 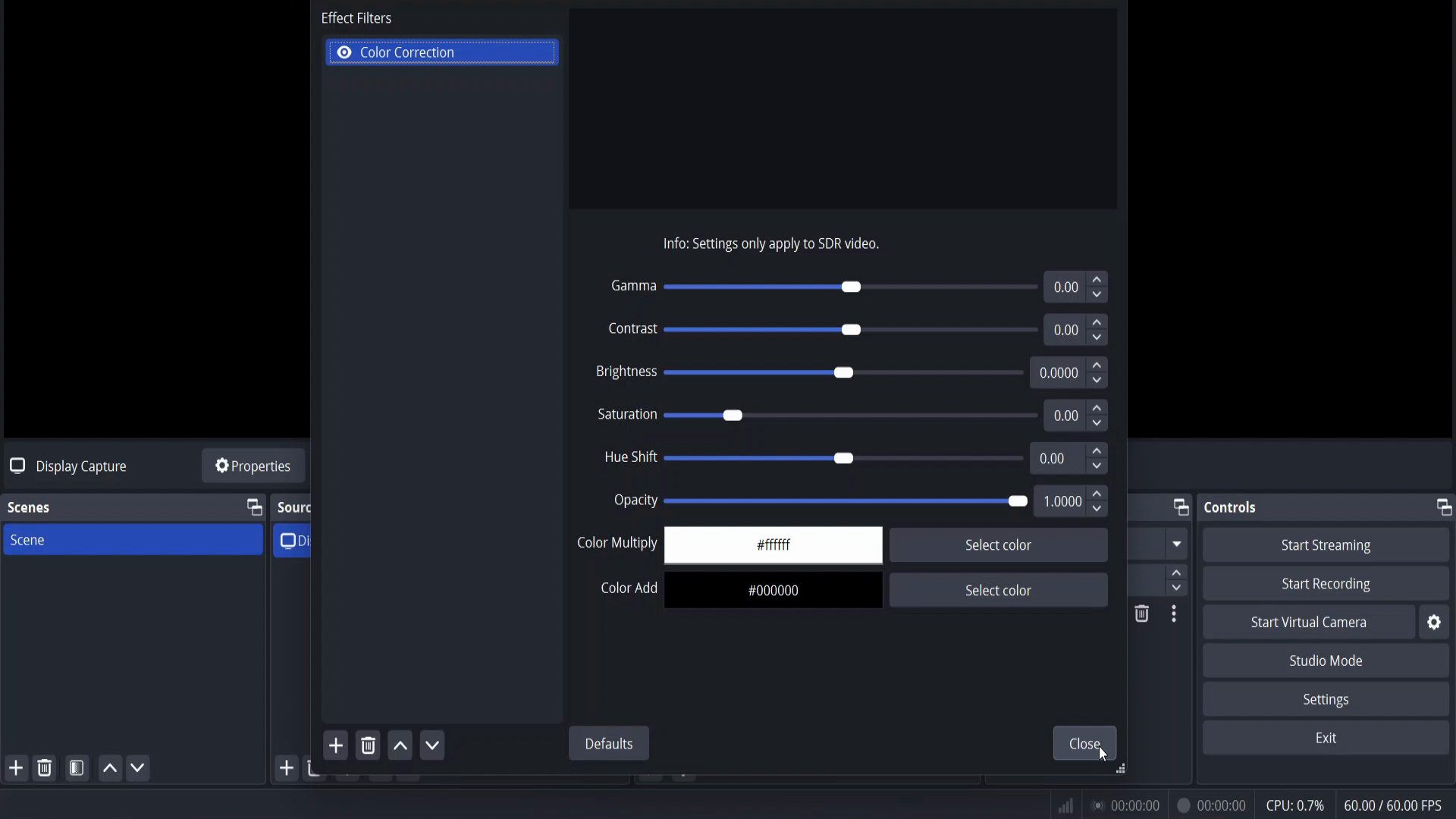 What do you see at coordinates (1139, 616) in the screenshot?
I see `DELETE` at bounding box center [1139, 616].